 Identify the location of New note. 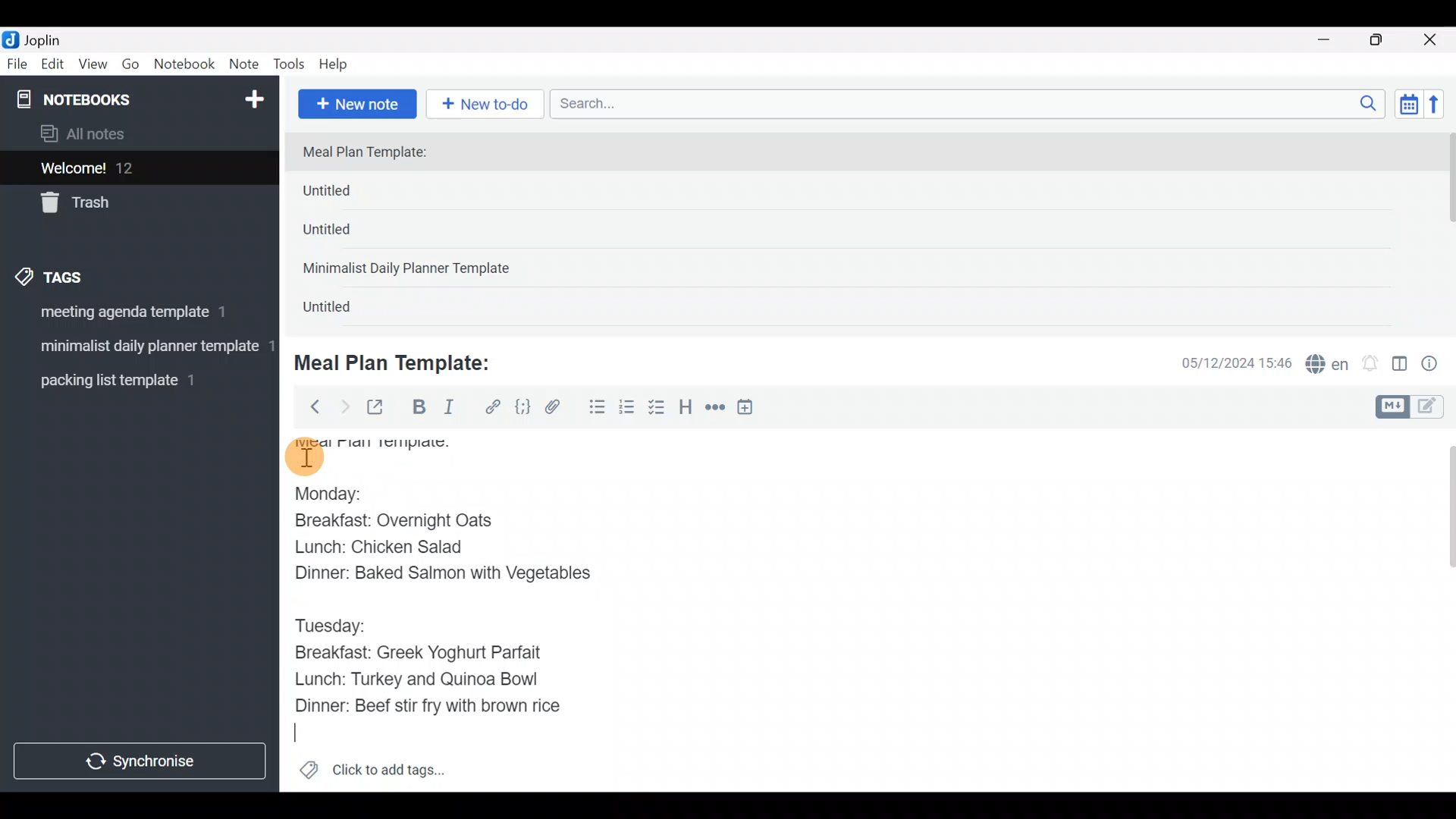
(356, 102).